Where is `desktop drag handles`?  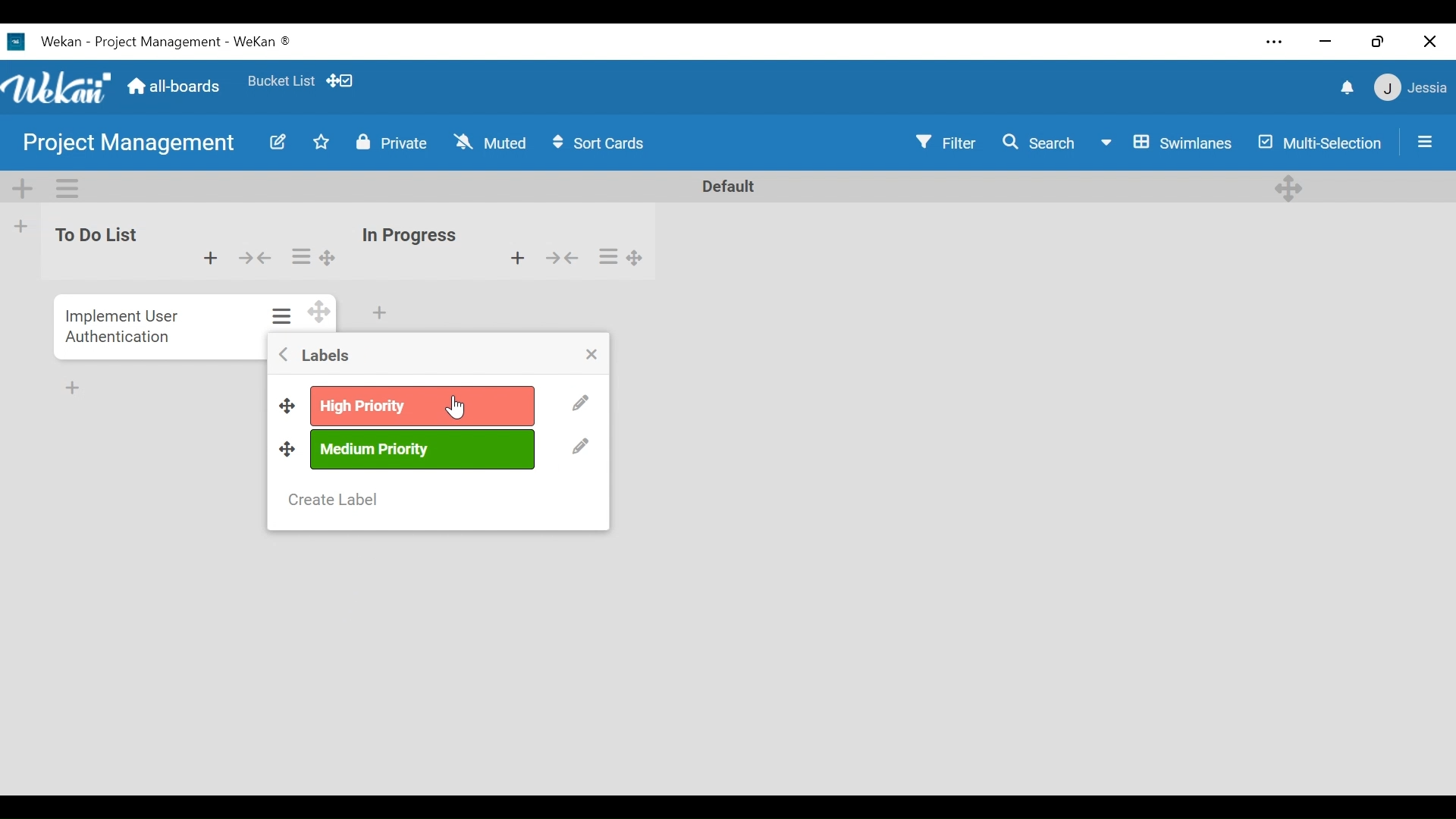 desktop drag handles is located at coordinates (328, 258).